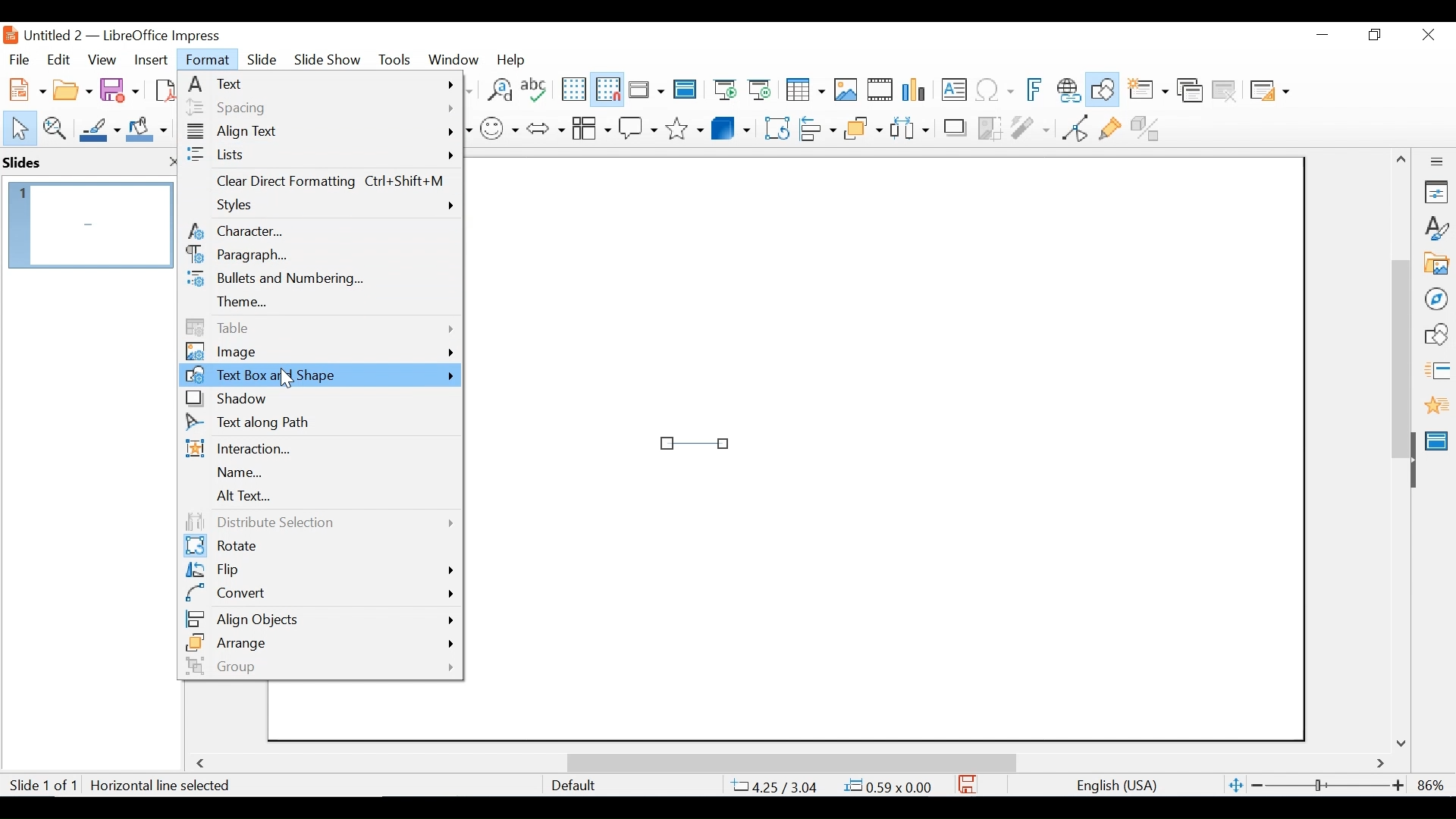 This screenshot has width=1456, height=819. Describe the element at coordinates (203, 764) in the screenshot. I see `Scroll Left` at that location.